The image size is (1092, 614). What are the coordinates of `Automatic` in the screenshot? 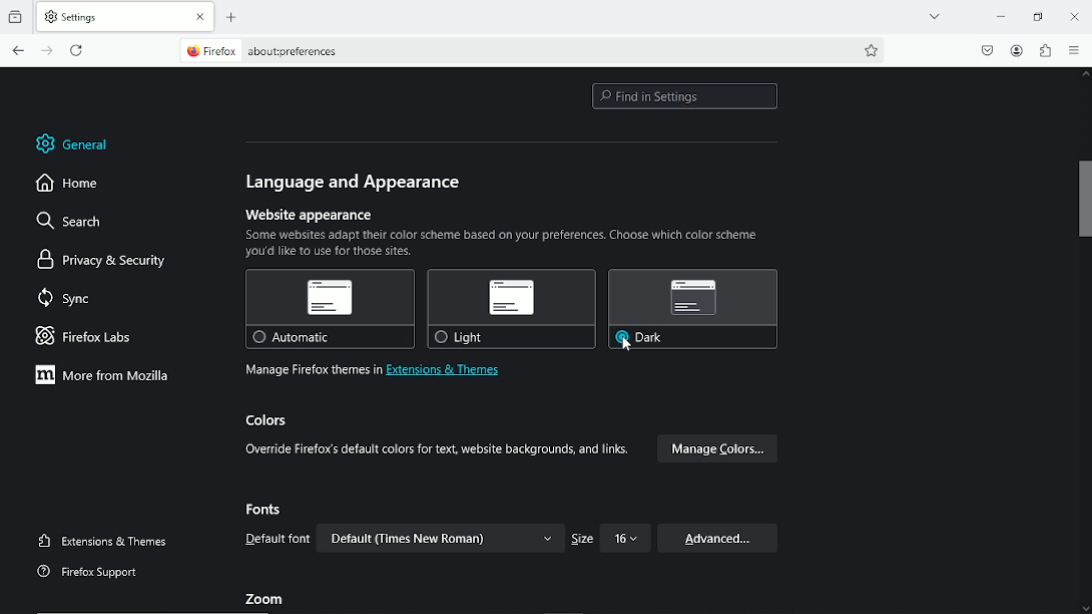 It's located at (331, 310).